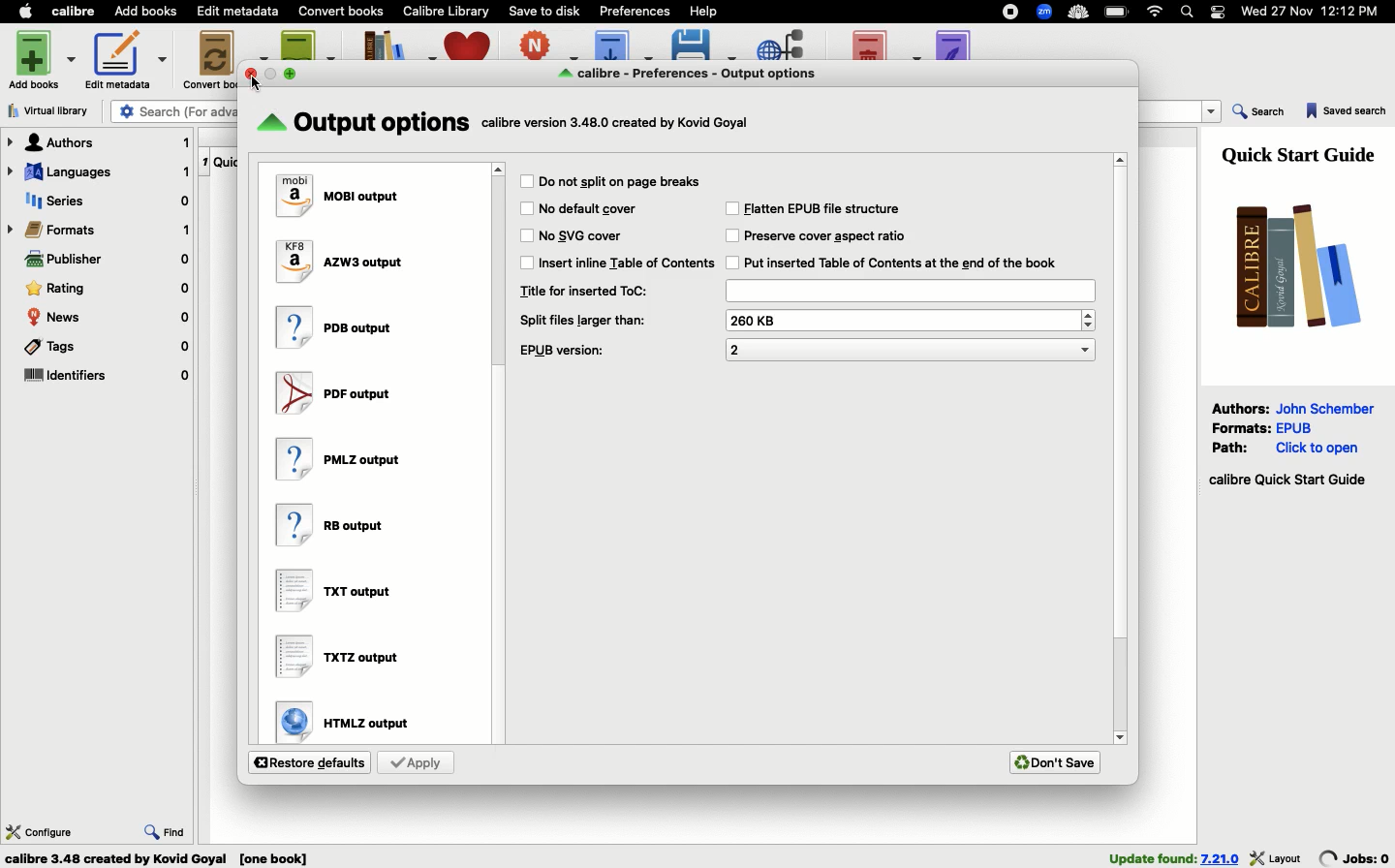 The width and height of the screenshot is (1395, 868). I want to click on Calibre, so click(77, 11).